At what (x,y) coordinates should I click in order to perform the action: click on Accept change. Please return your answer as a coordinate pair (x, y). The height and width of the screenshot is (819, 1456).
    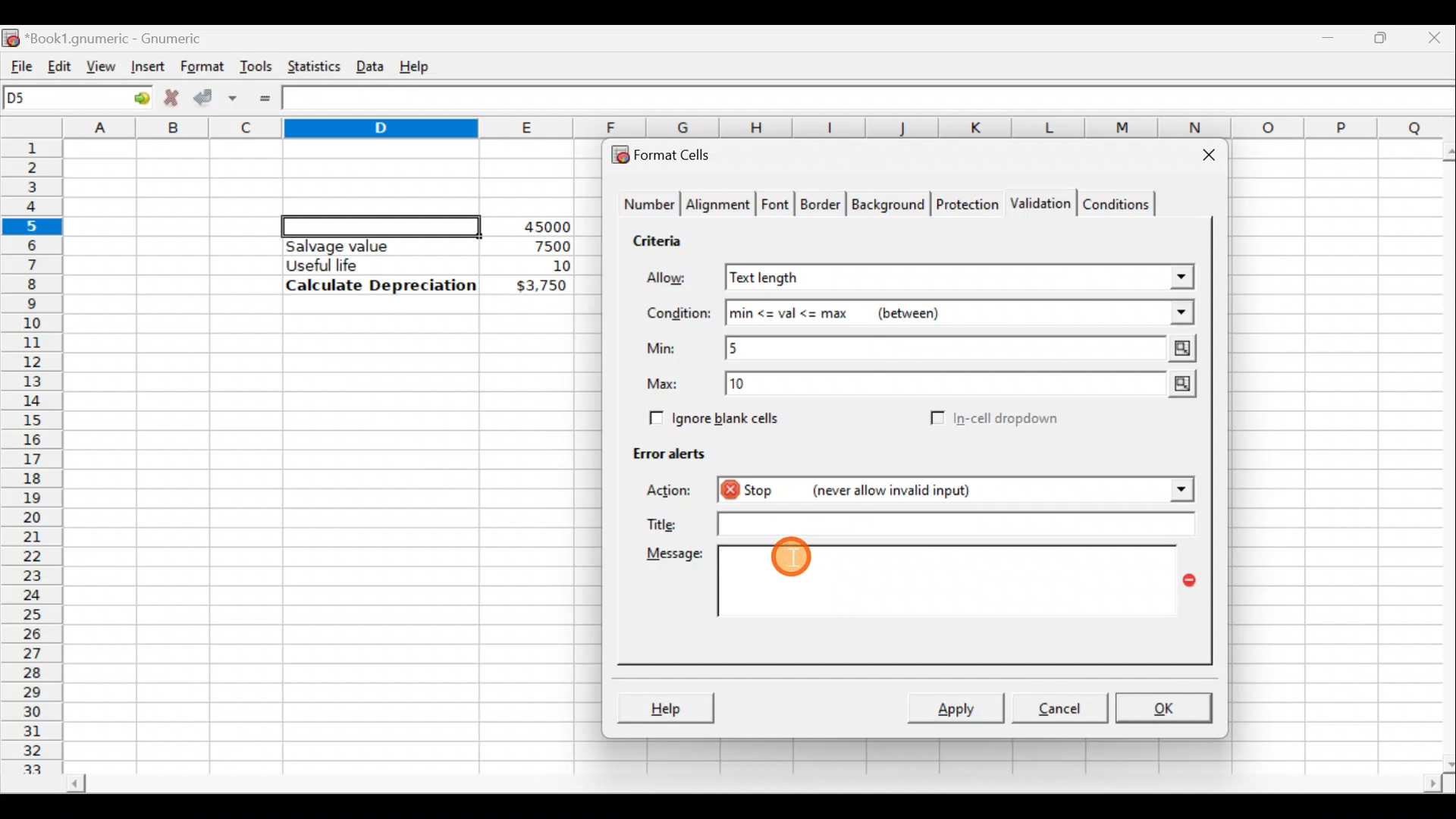
    Looking at the image, I should click on (218, 96).